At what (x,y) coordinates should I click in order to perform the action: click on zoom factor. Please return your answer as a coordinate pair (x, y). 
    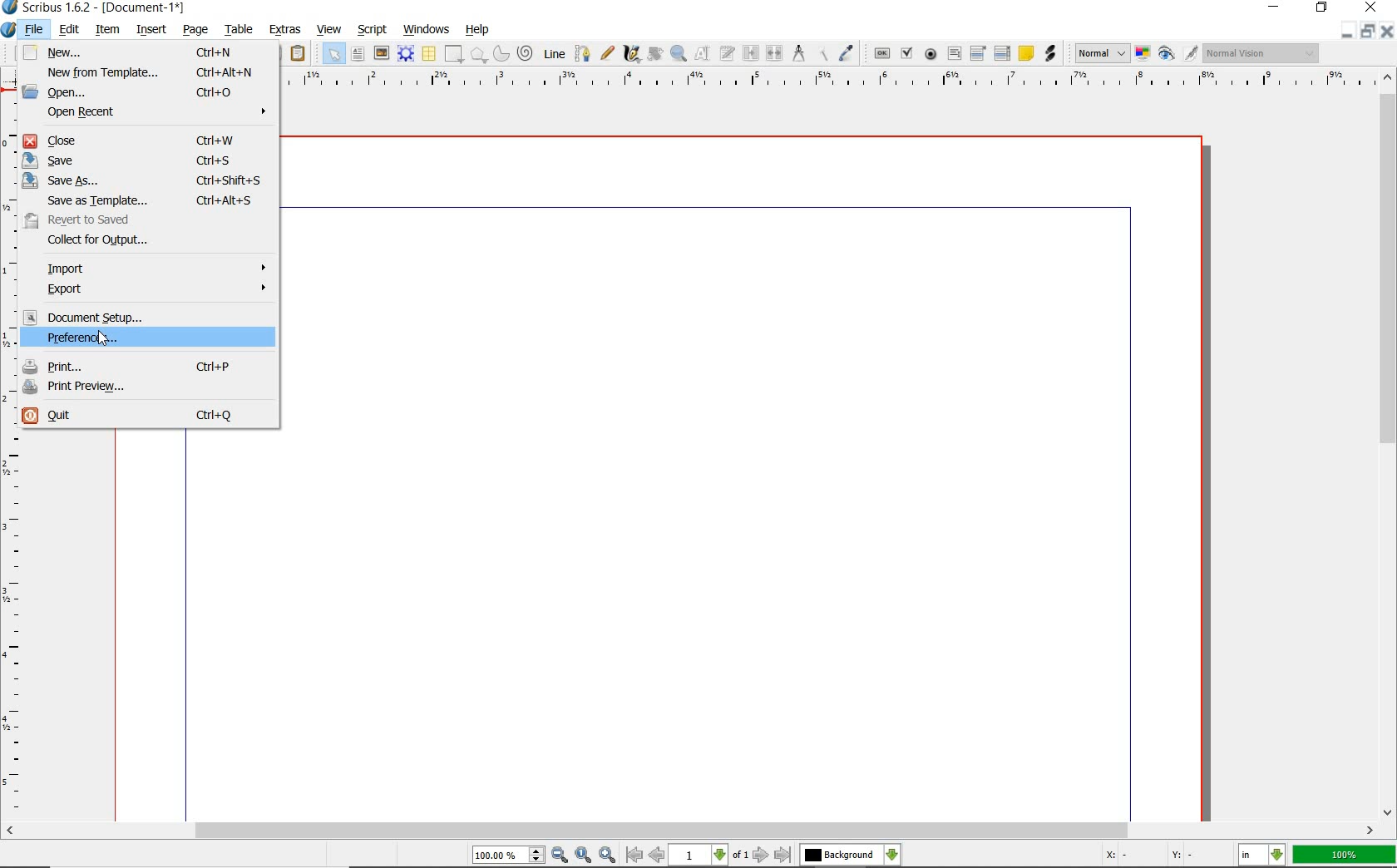
    Looking at the image, I should click on (1345, 855).